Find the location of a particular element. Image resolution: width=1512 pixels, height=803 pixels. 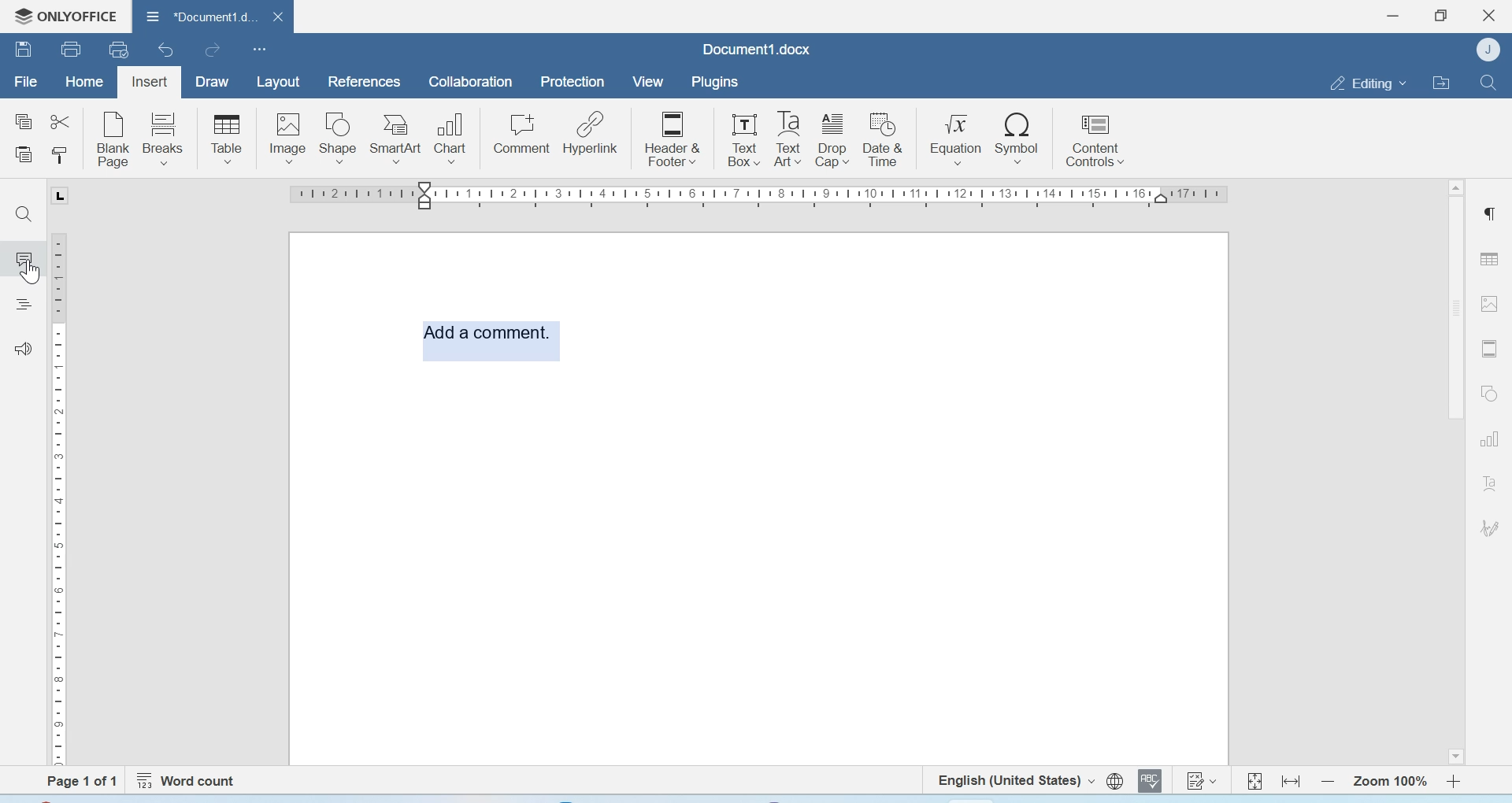

Minimize is located at coordinates (1395, 16).